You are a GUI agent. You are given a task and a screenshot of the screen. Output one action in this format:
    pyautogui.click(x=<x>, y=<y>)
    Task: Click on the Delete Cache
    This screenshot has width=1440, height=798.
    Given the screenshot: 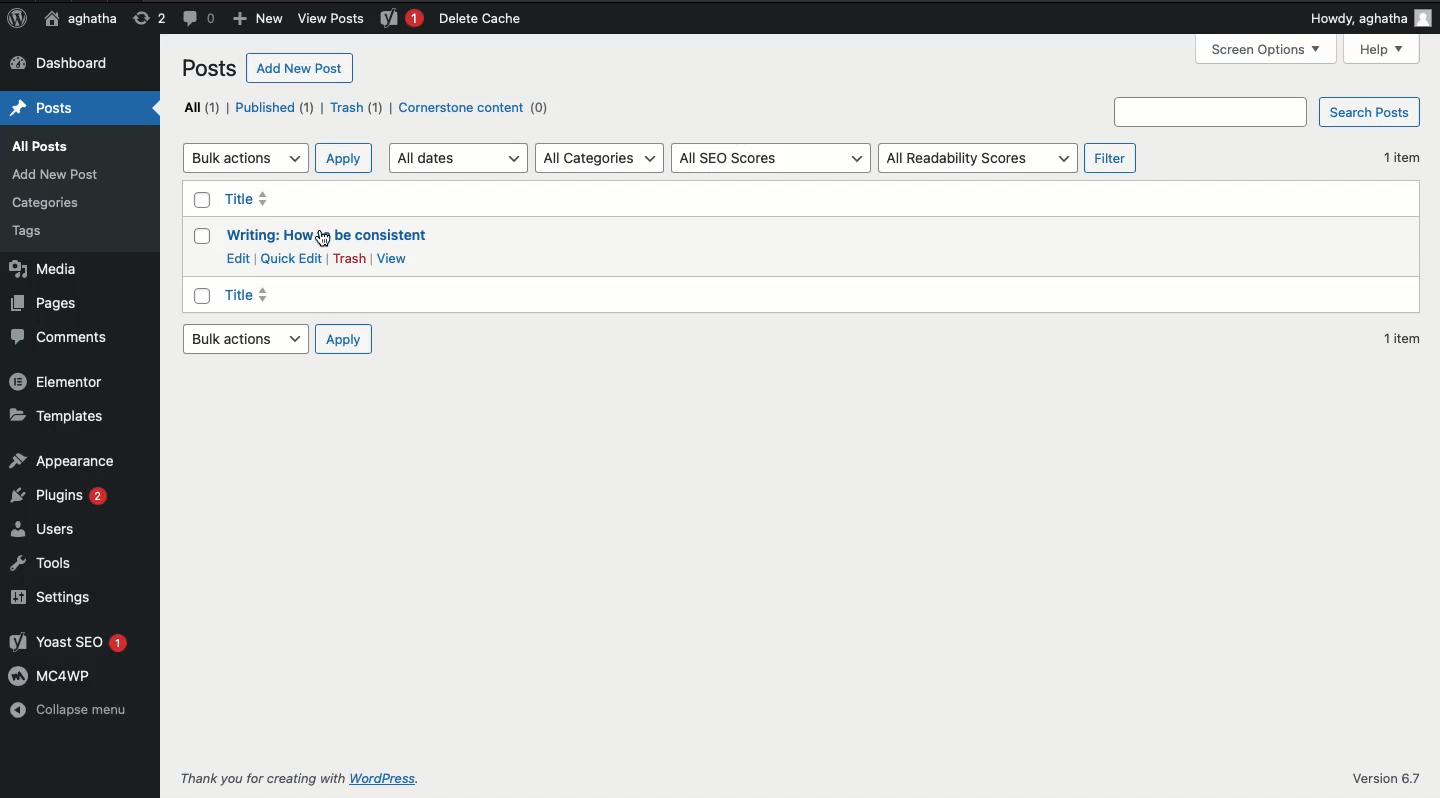 What is the action you would take?
    pyautogui.click(x=482, y=18)
    